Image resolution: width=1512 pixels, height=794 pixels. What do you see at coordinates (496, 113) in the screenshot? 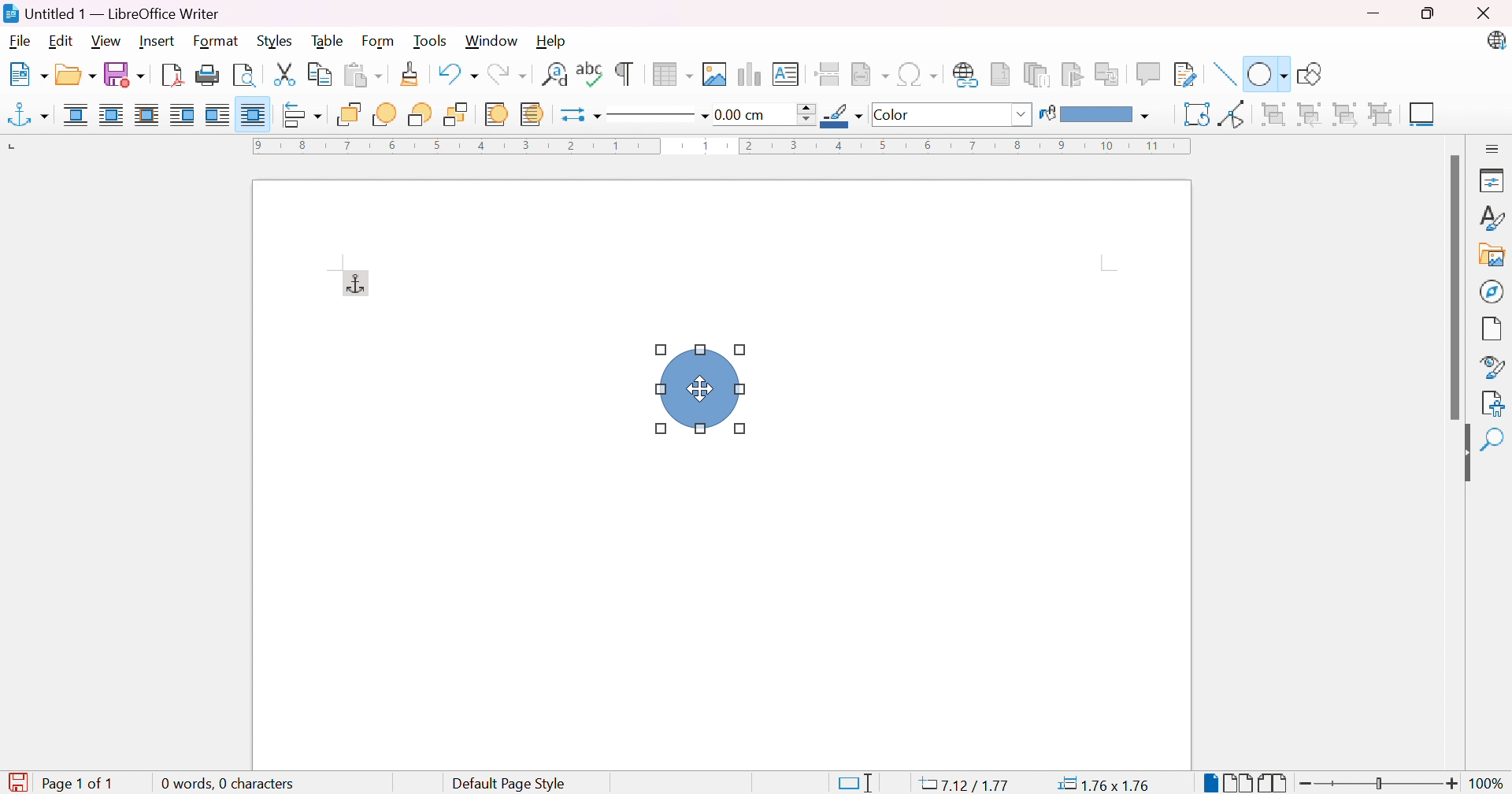
I see `To foreground` at bounding box center [496, 113].